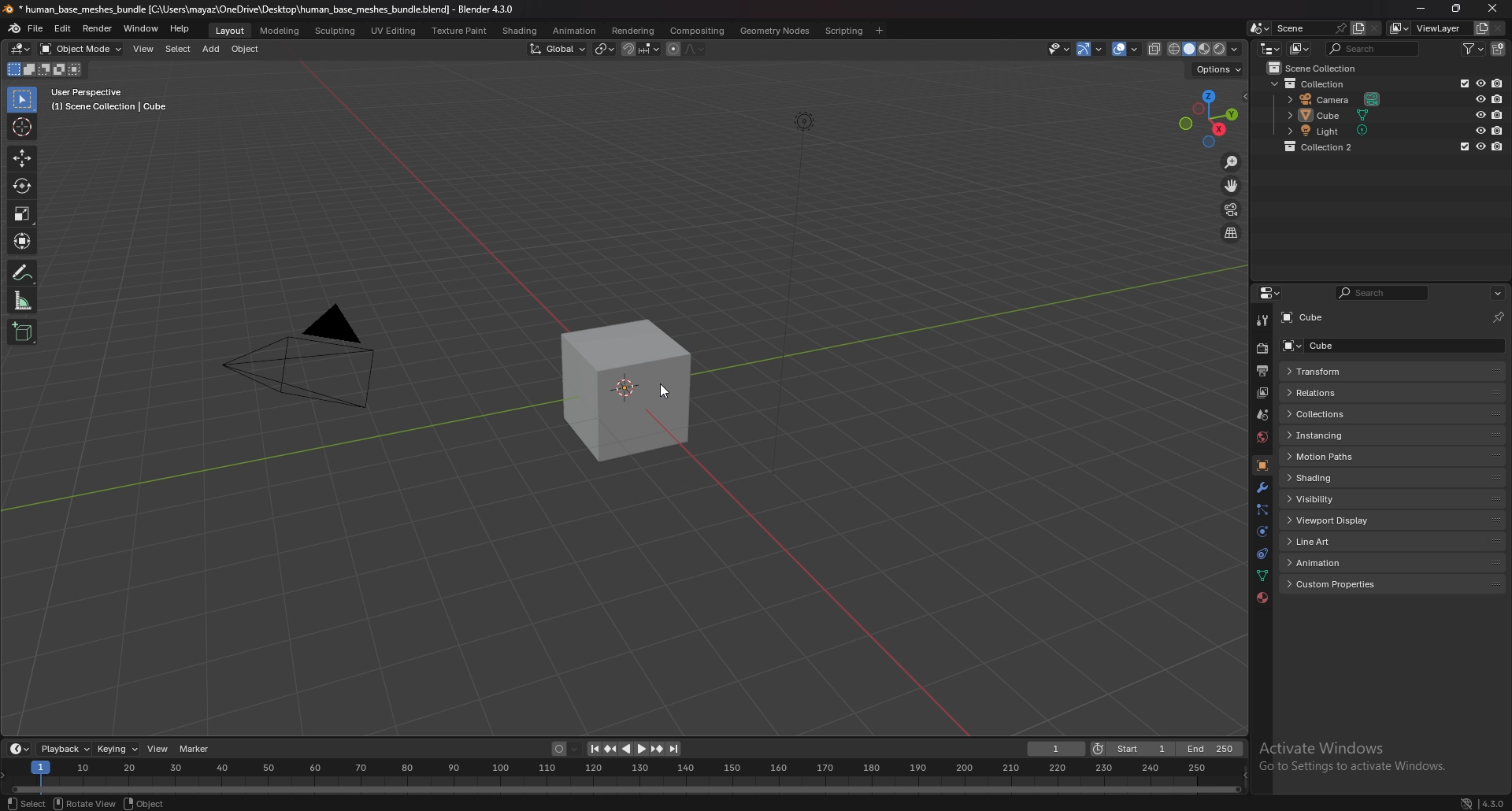  What do you see at coordinates (1345, 585) in the screenshot?
I see `custom properties` at bounding box center [1345, 585].